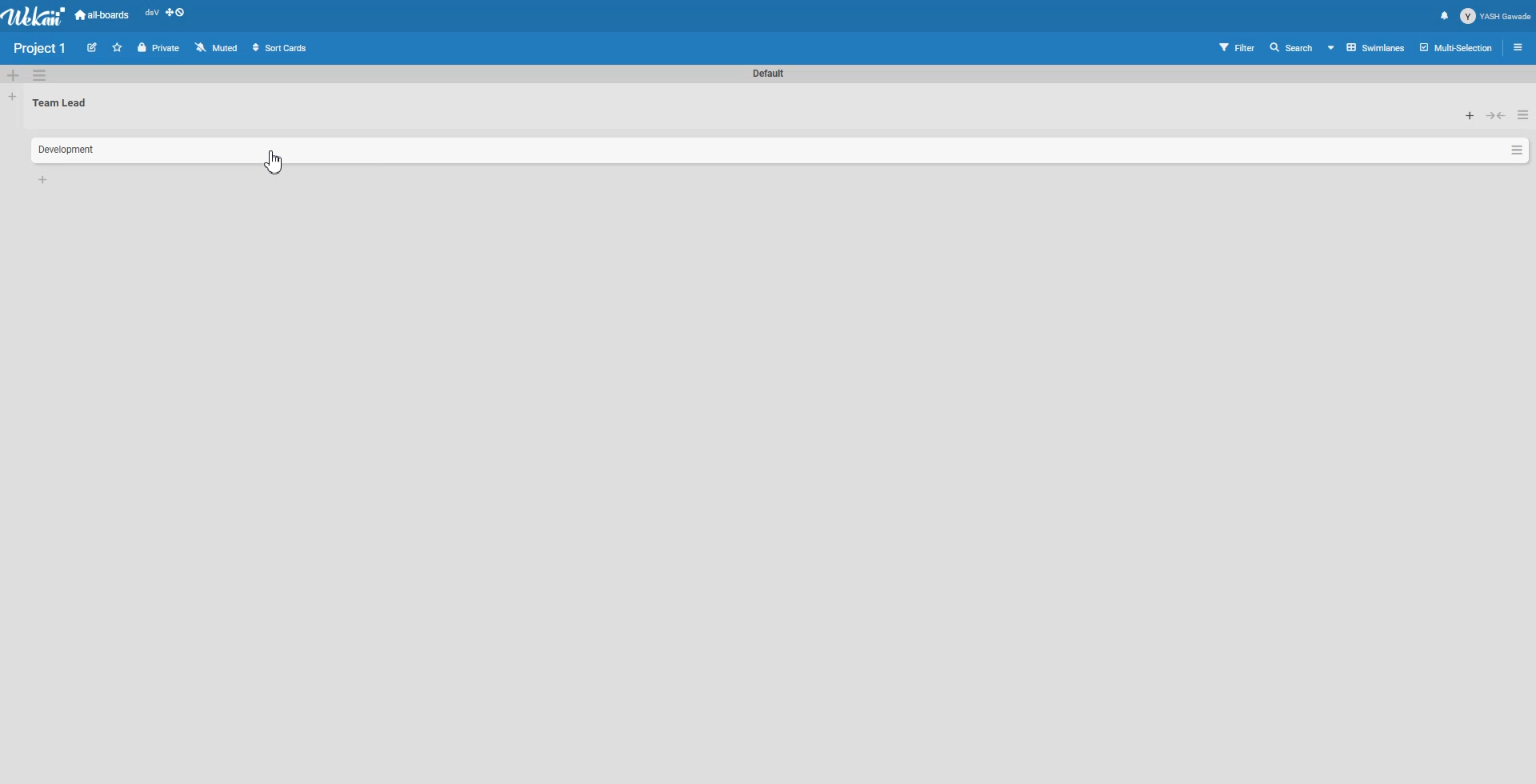  Describe the element at coordinates (279, 47) in the screenshot. I see `Sort Cards` at that location.